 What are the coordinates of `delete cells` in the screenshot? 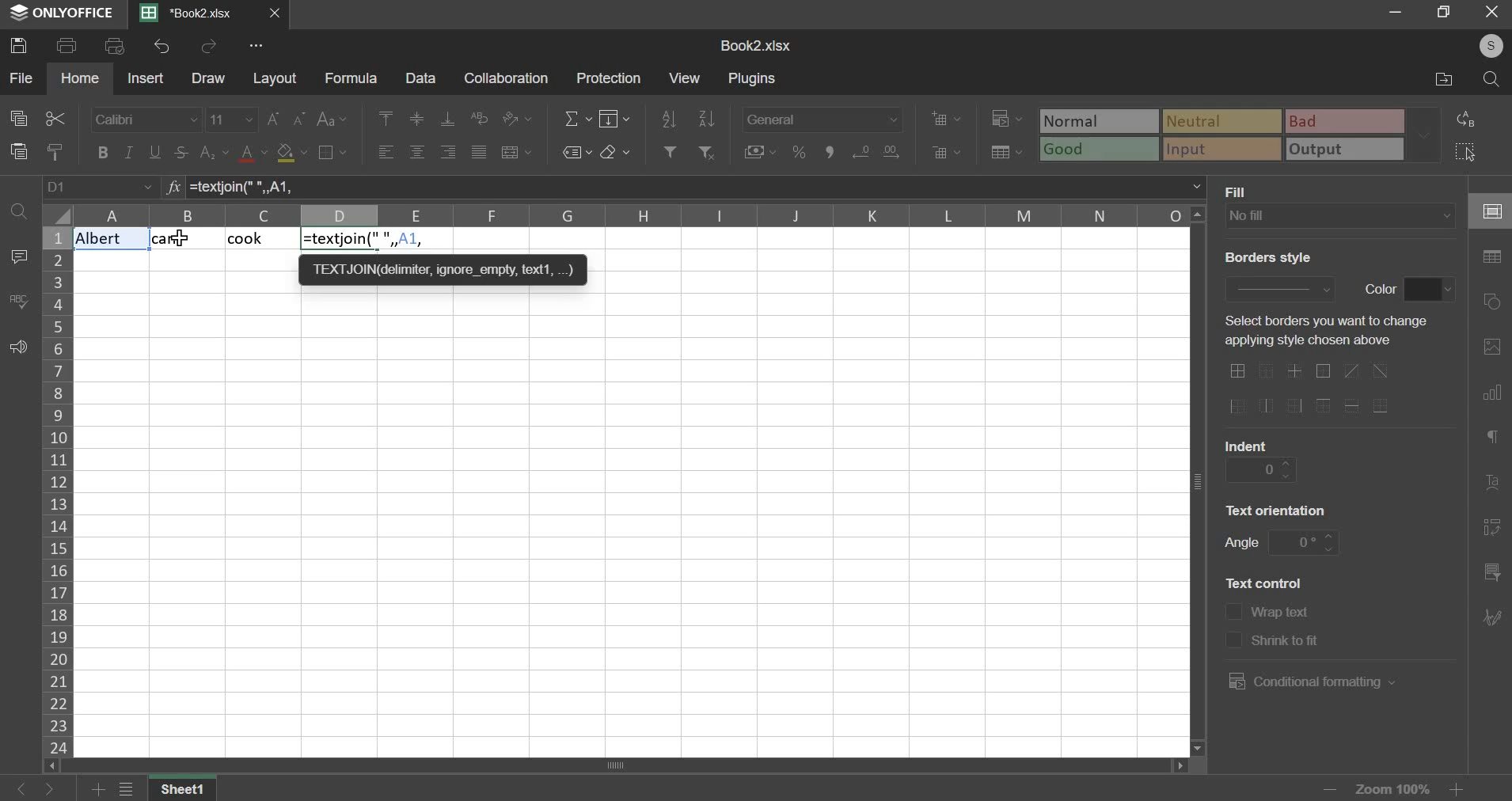 It's located at (947, 152).